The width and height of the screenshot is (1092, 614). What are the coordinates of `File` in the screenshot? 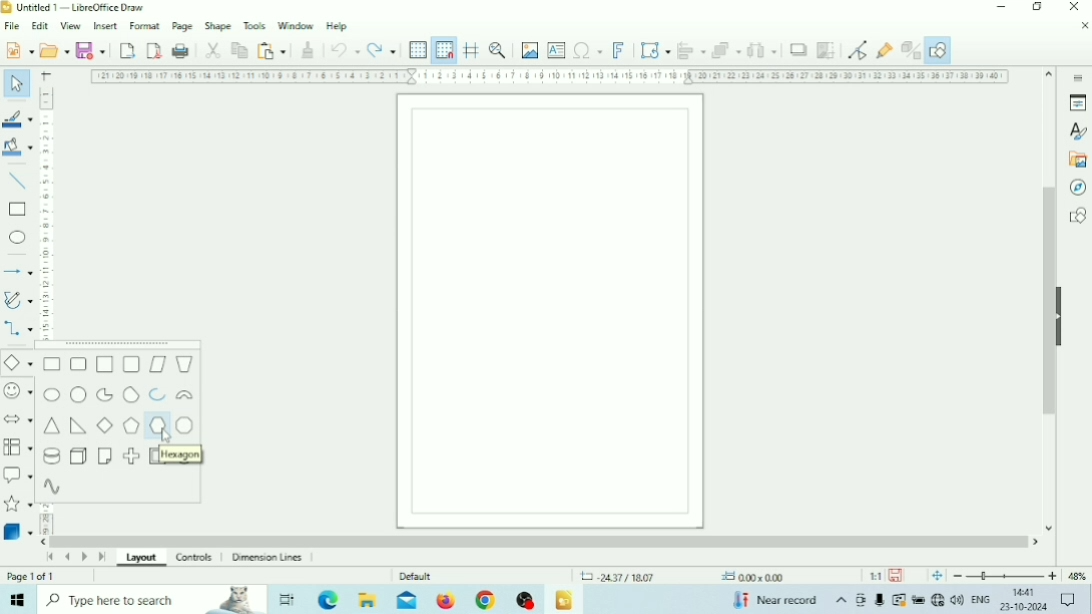 It's located at (13, 26).